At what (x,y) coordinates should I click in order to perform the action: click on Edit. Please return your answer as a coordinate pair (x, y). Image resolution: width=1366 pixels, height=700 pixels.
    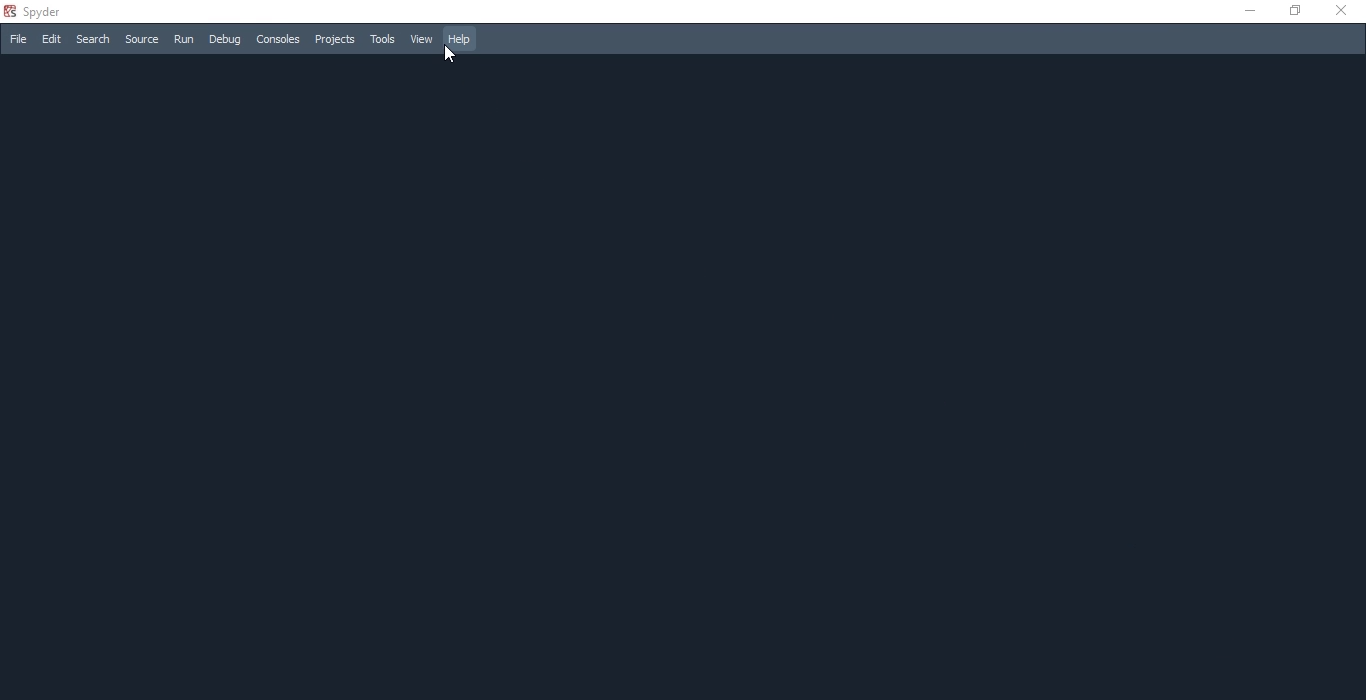
    Looking at the image, I should click on (51, 39).